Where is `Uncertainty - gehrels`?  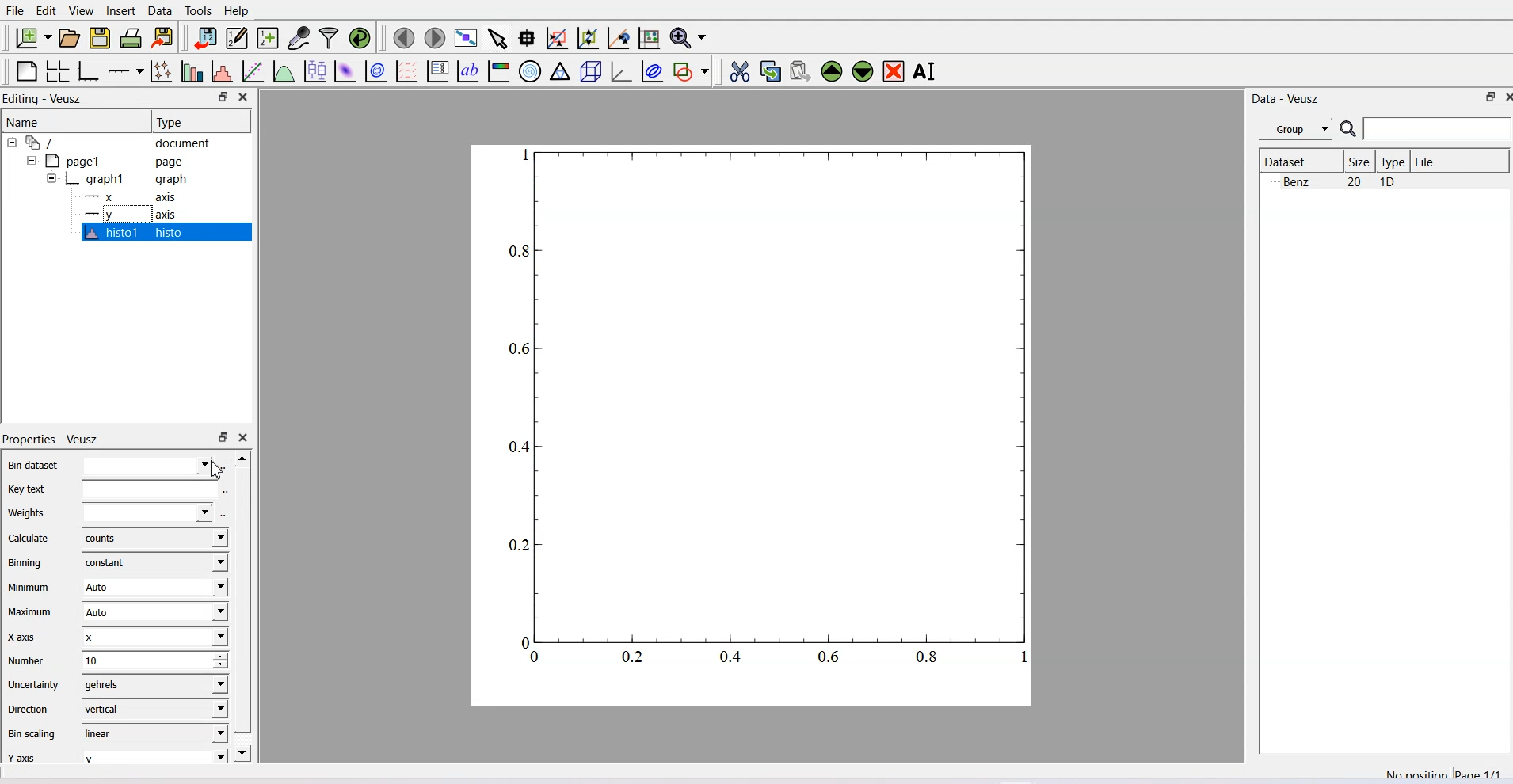
Uncertainty - gehrels is located at coordinates (114, 683).